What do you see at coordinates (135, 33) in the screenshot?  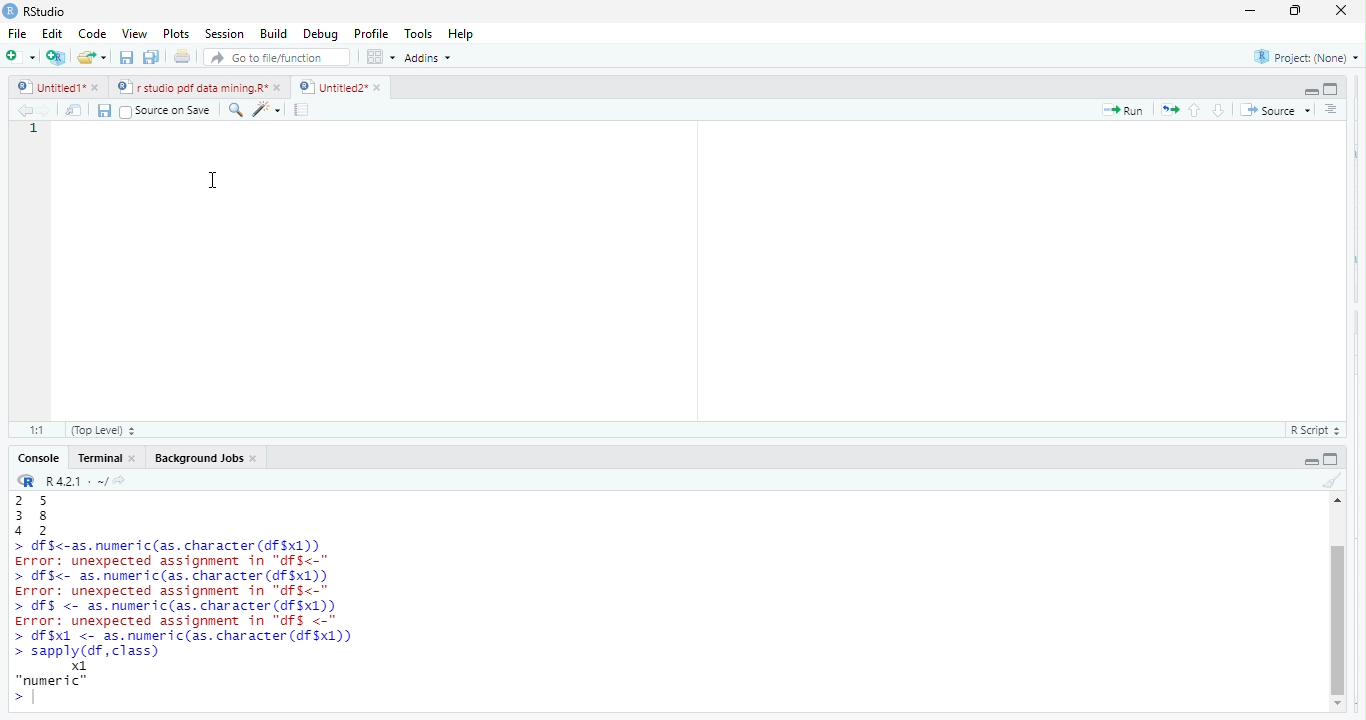 I see `View` at bounding box center [135, 33].